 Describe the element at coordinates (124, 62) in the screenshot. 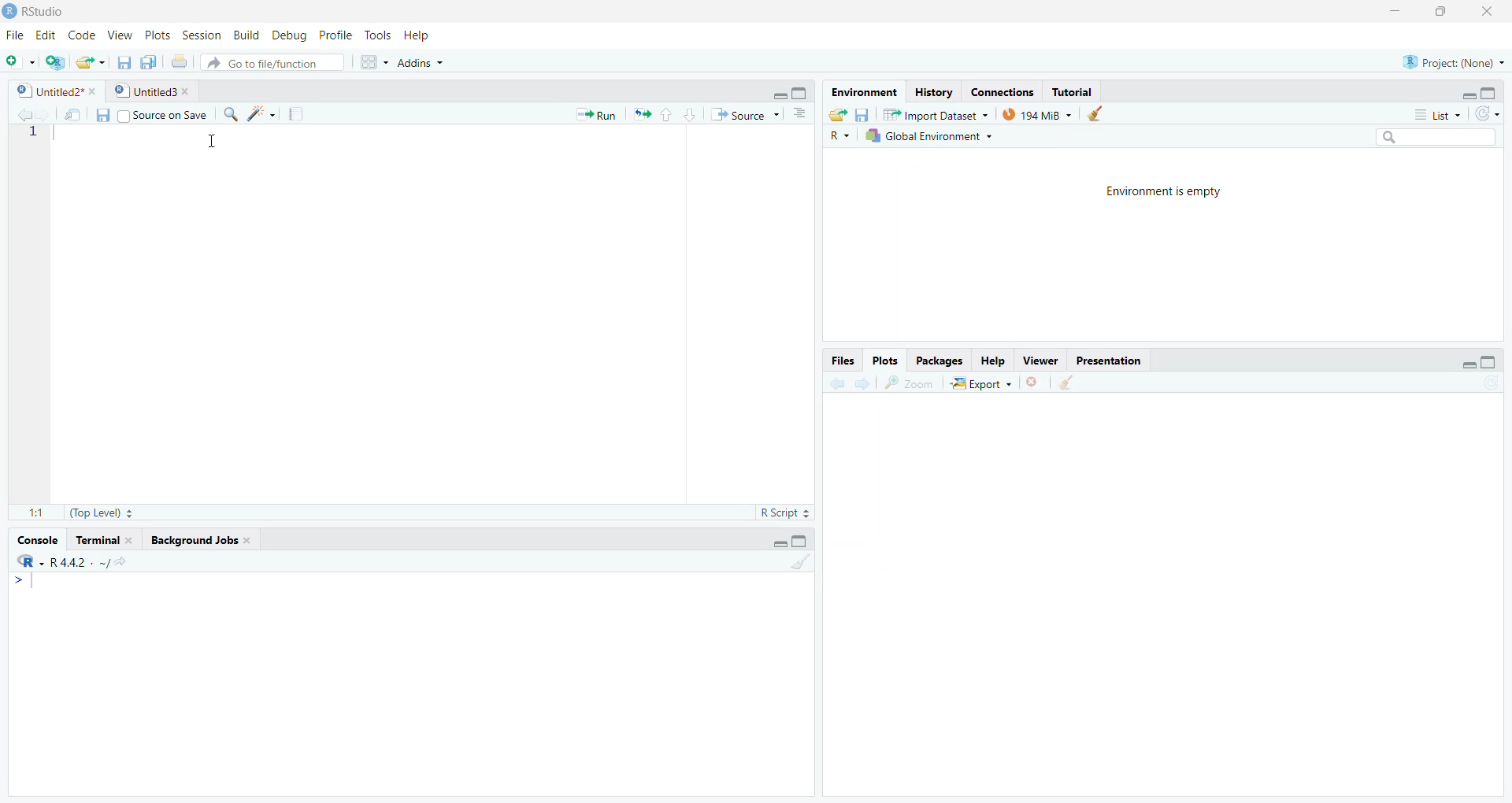

I see `save current document` at that location.